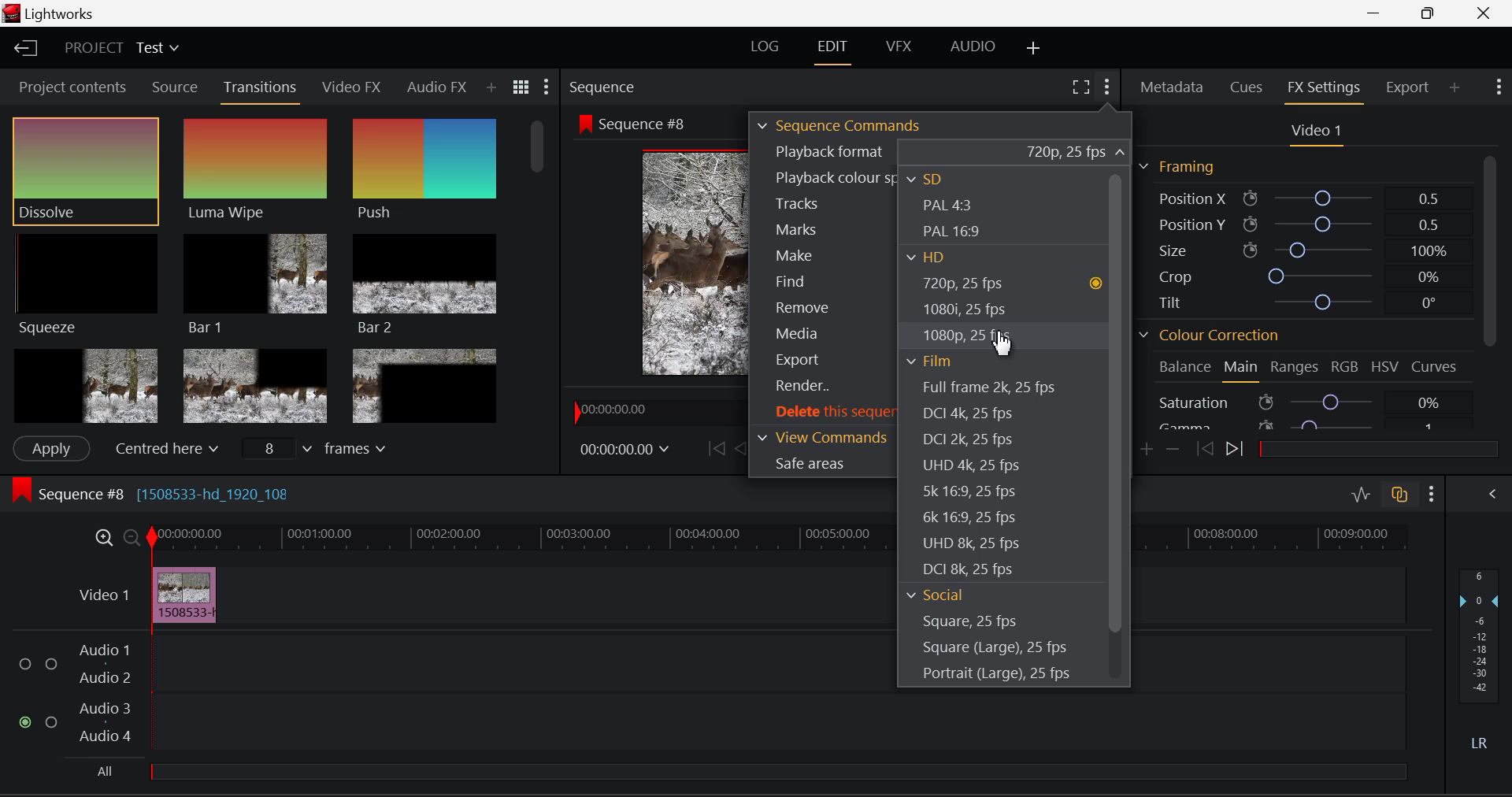  Describe the element at coordinates (422, 170) in the screenshot. I see `Push` at that location.